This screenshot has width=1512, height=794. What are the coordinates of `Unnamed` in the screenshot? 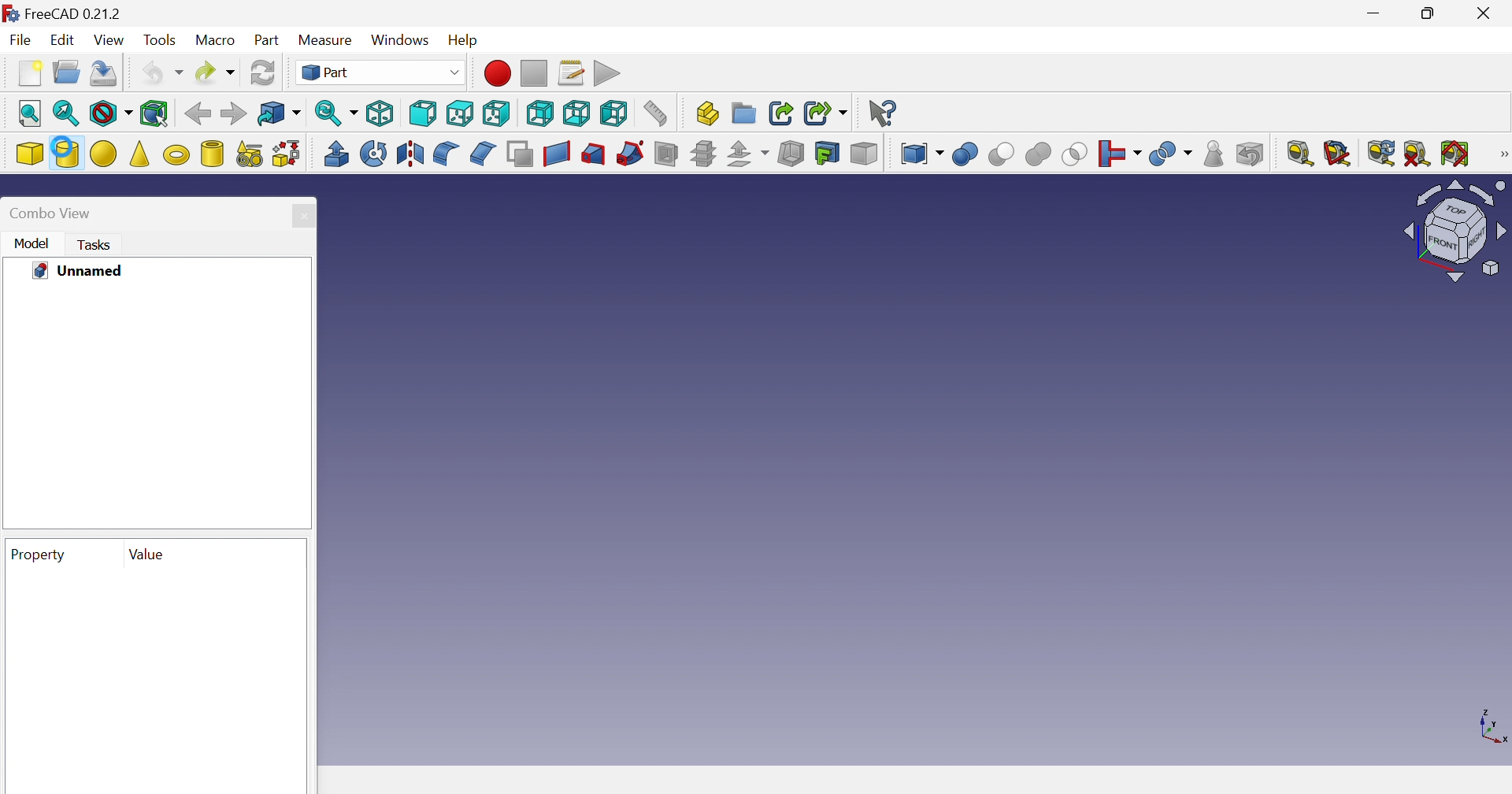 It's located at (80, 272).